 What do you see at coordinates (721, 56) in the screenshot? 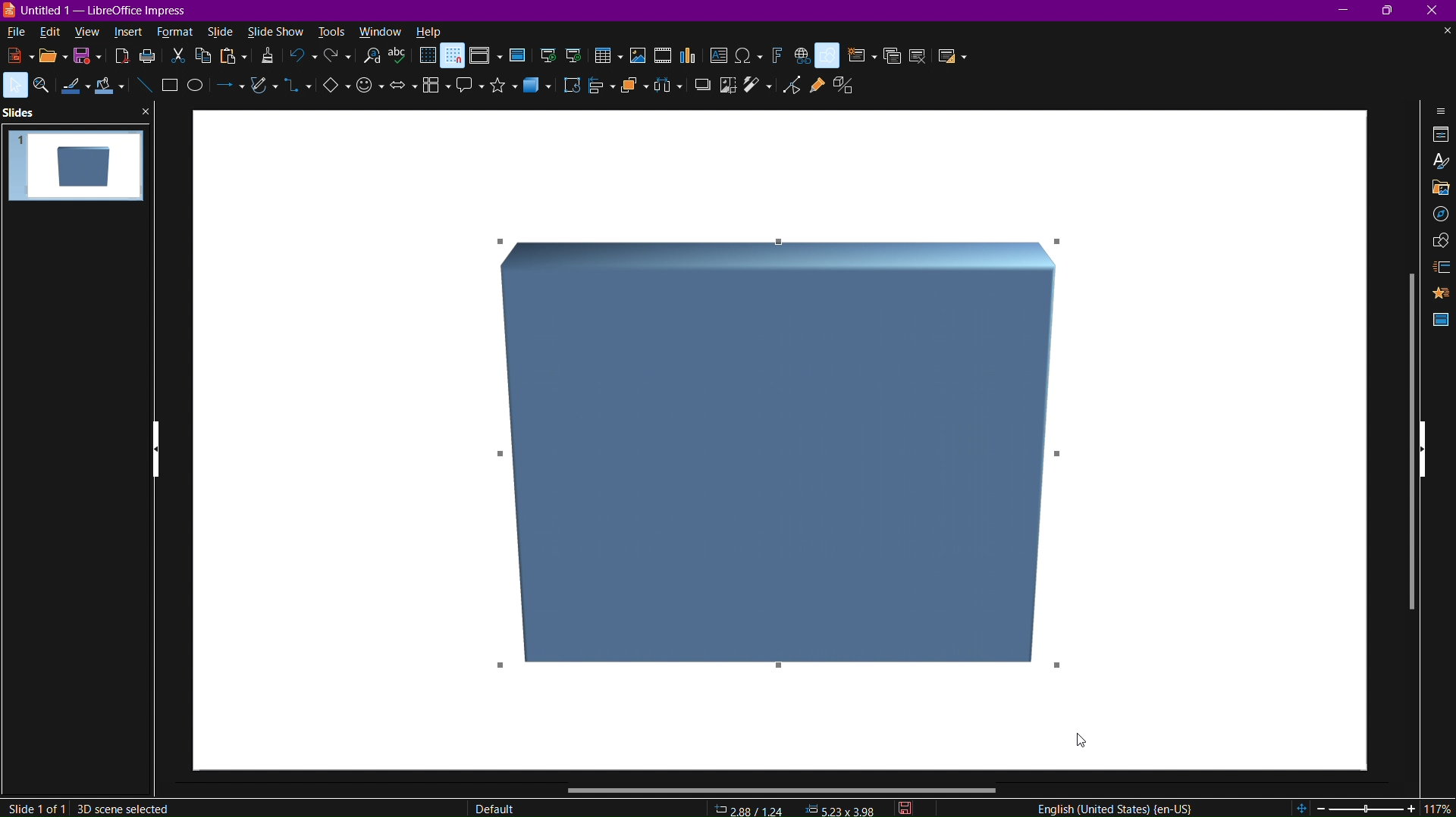
I see `Insert Text Box` at bounding box center [721, 56].